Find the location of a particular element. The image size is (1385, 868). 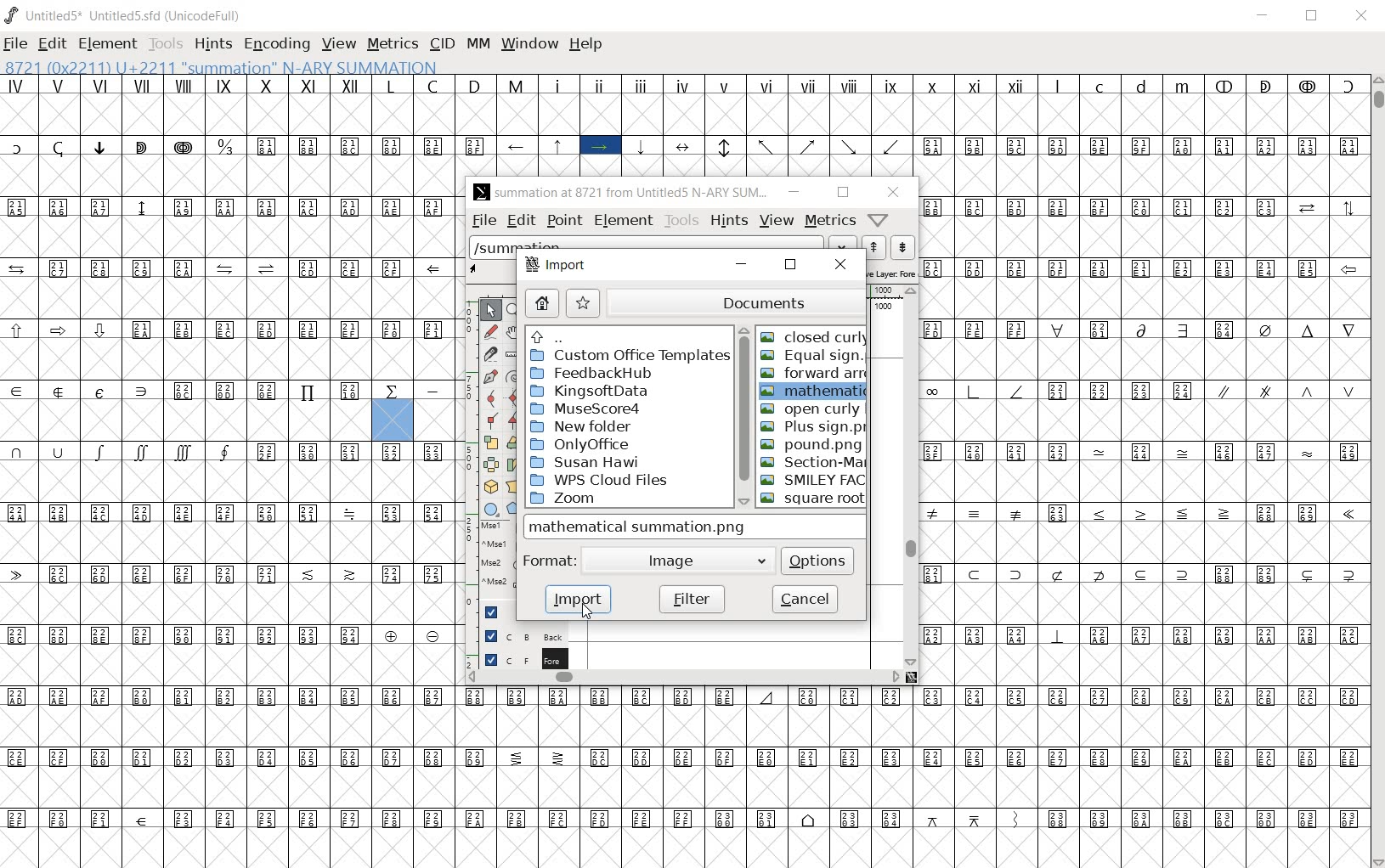

home is located at coordinates (542, 302).